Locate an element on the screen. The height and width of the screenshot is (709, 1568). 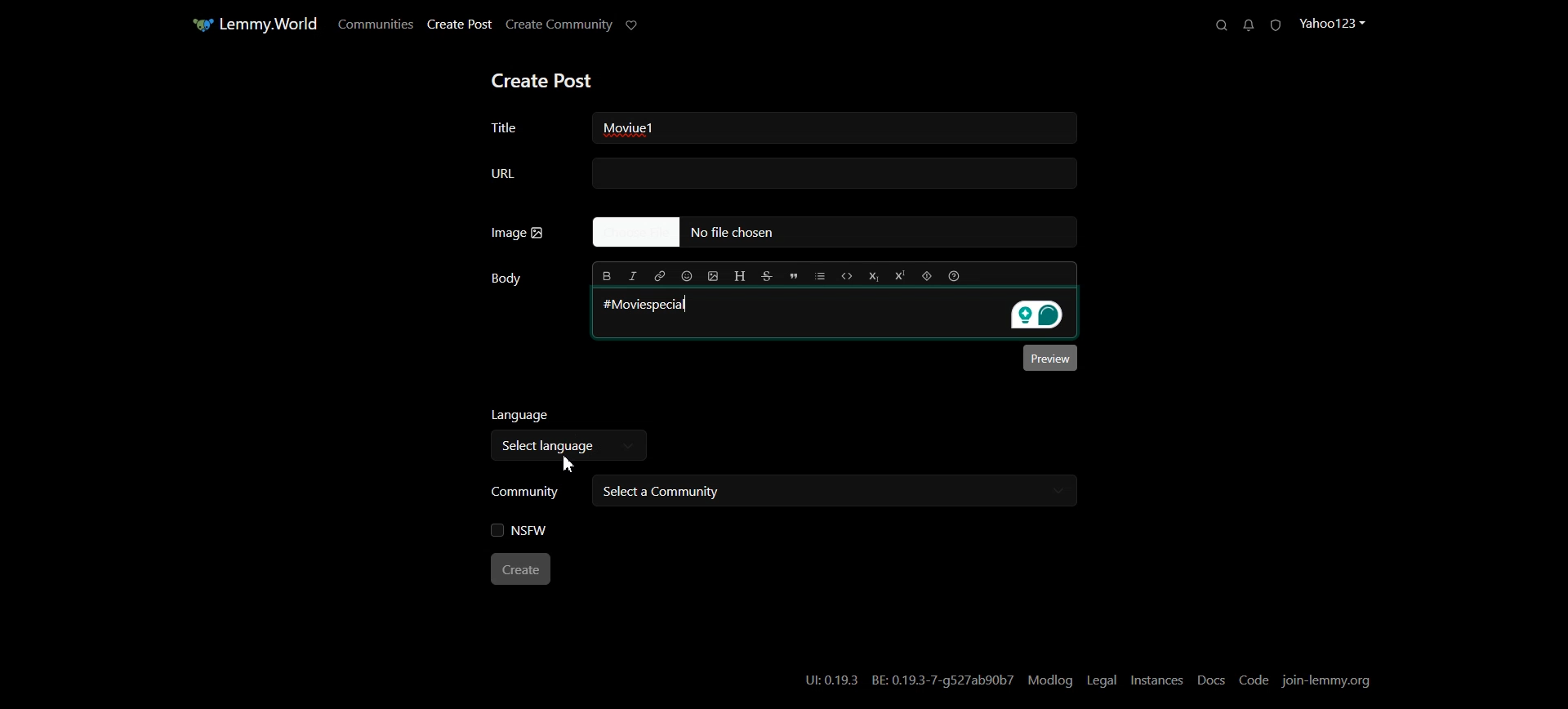
No file Chosen is located at coordinates (833, 233).